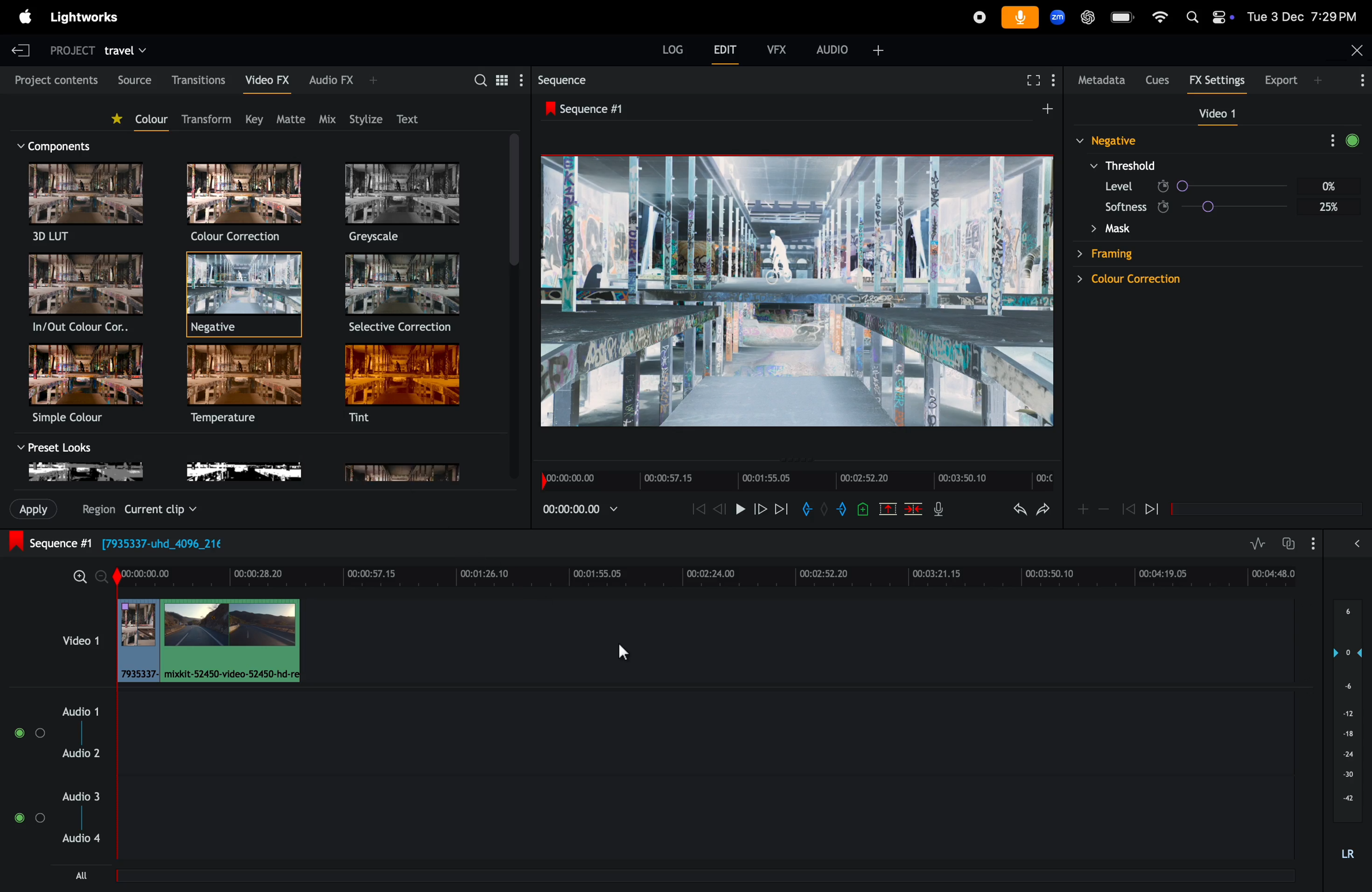 The width and height of the screenshot is (1372, 892). Describe the element at coordinates (847, 49) in the screenshot. I see `audio +` at that location.